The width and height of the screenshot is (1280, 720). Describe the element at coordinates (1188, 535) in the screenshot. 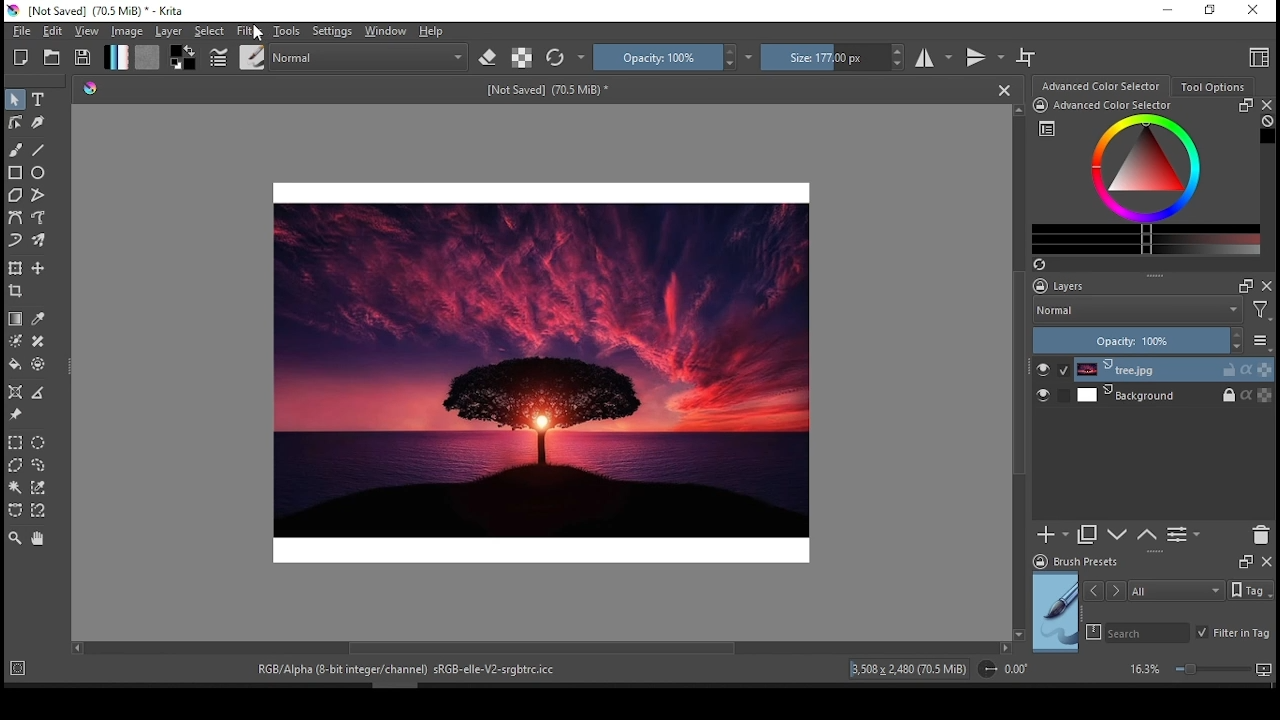

I see `view/change layer properties` at that location.